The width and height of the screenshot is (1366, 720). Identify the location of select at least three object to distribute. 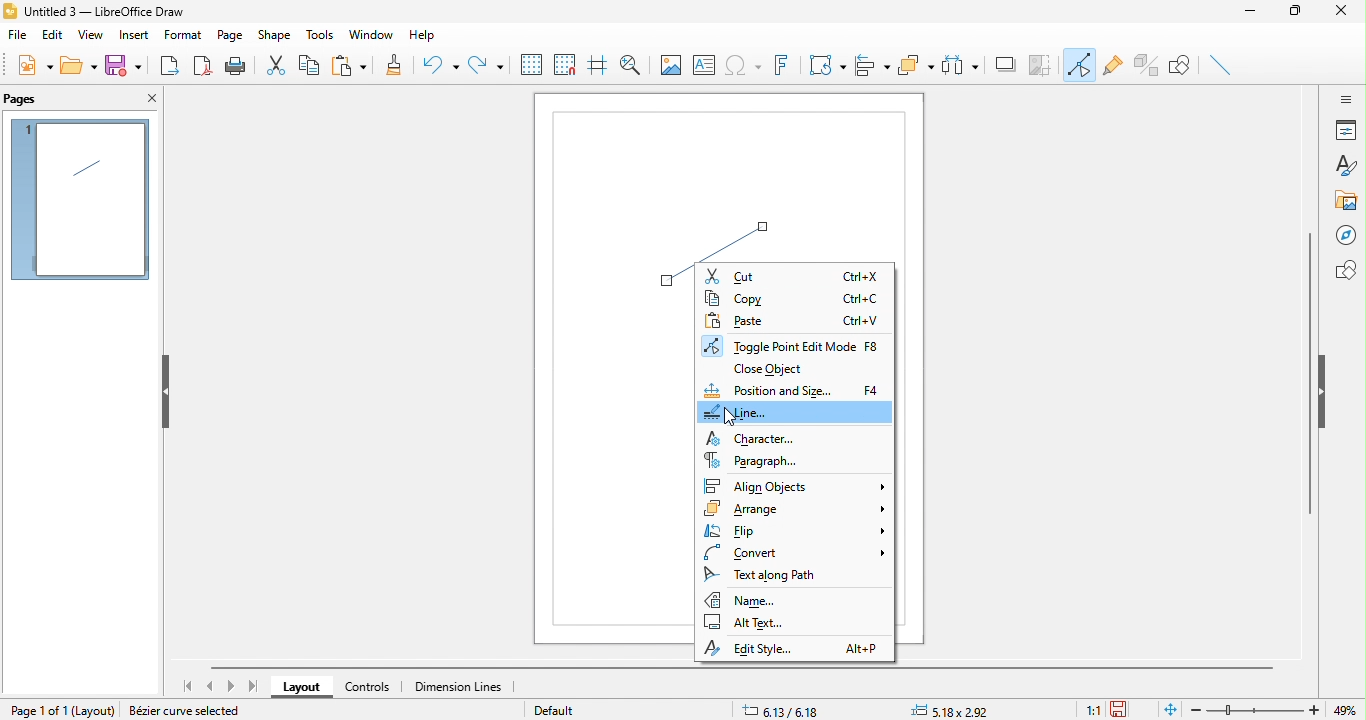
(963, 64).